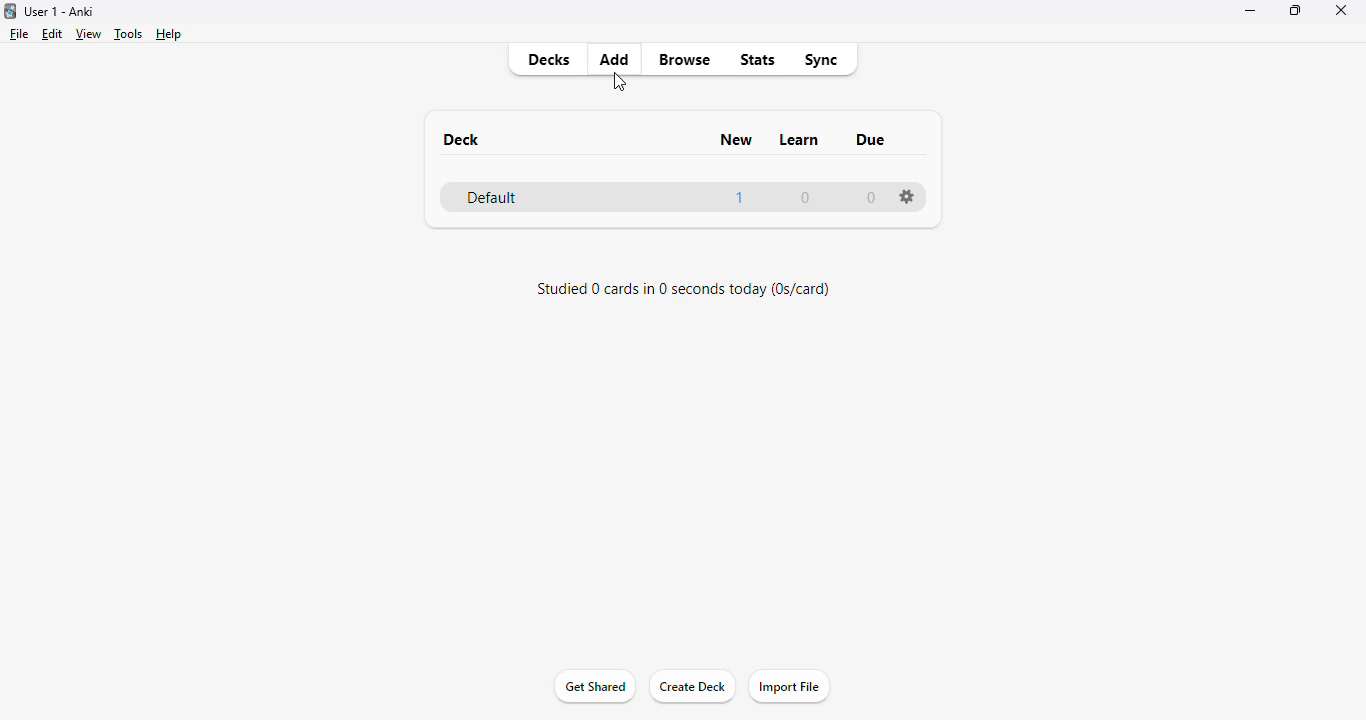  Describe the element at coordinates (548, 59) in the screenshot. I see `decks` at that location.